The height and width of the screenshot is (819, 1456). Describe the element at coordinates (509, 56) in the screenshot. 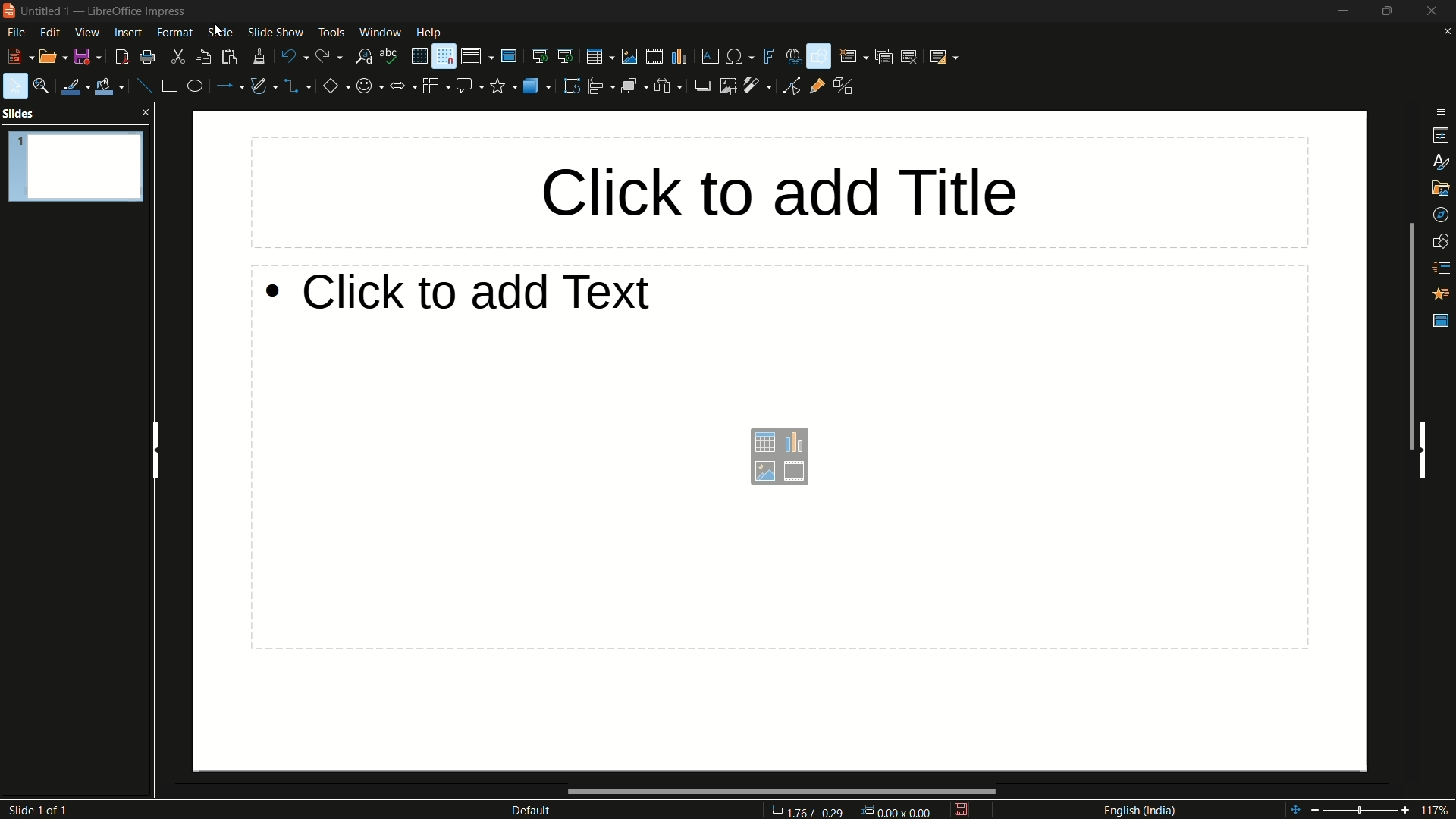

I see `master slide` at that location.